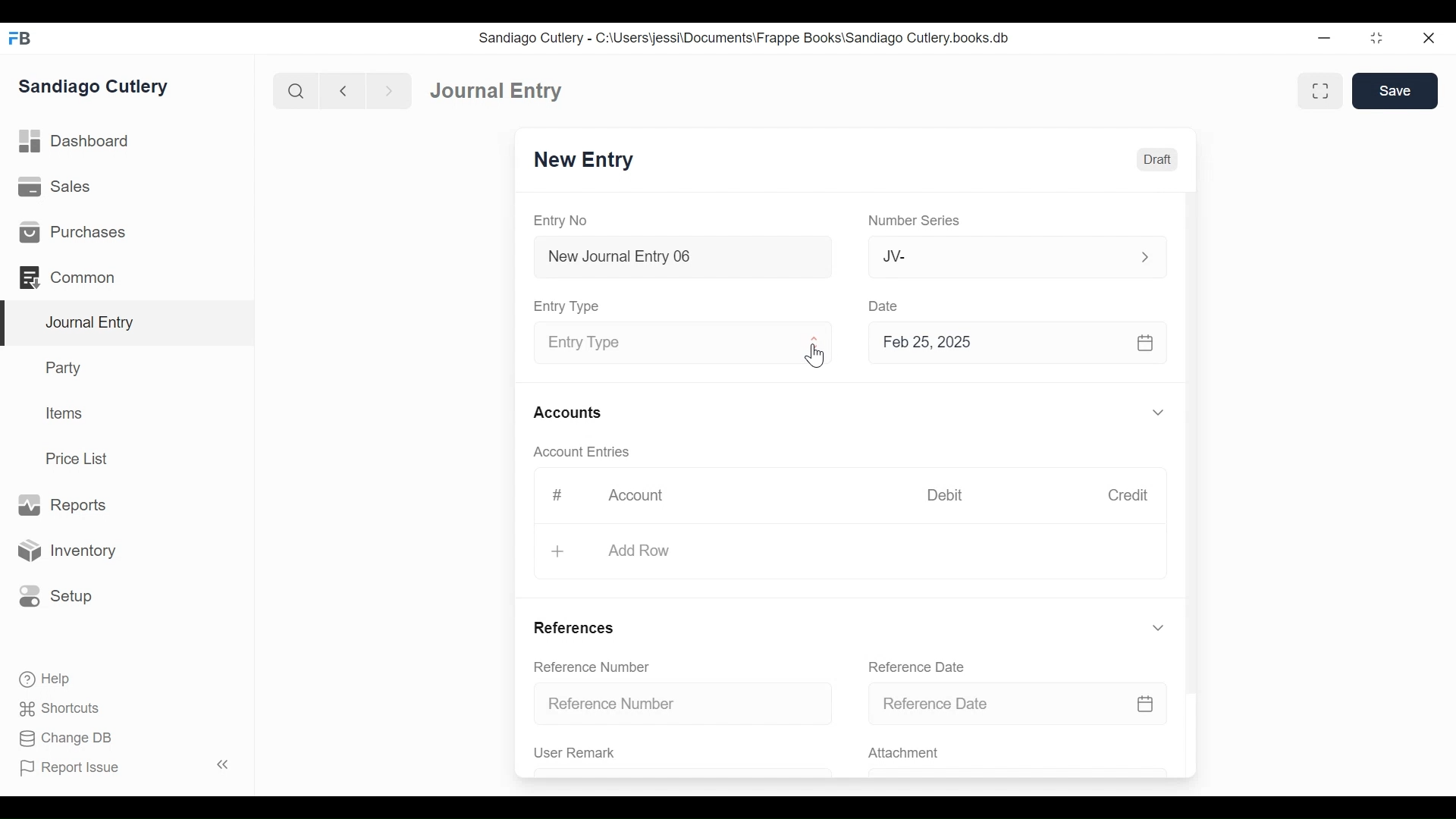 This screenshot has height=819, width=1456. Describe the element at coordinates (560, 552) in the screenshot. I see `+` at that location.